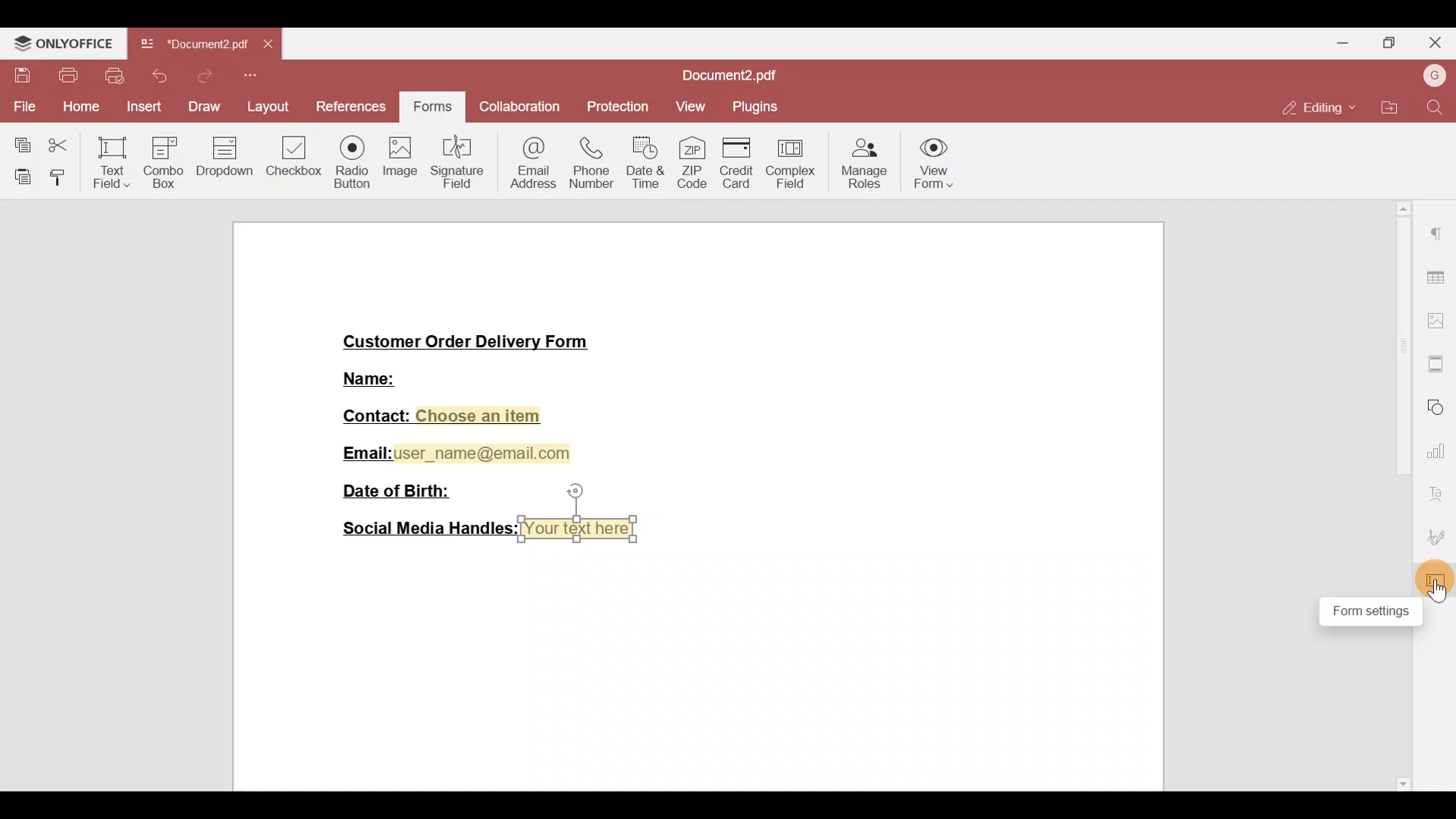  What do you see at coordinates (586, 163) in the screenshot?
I see `Phone number` at bounding box center [586, 163].